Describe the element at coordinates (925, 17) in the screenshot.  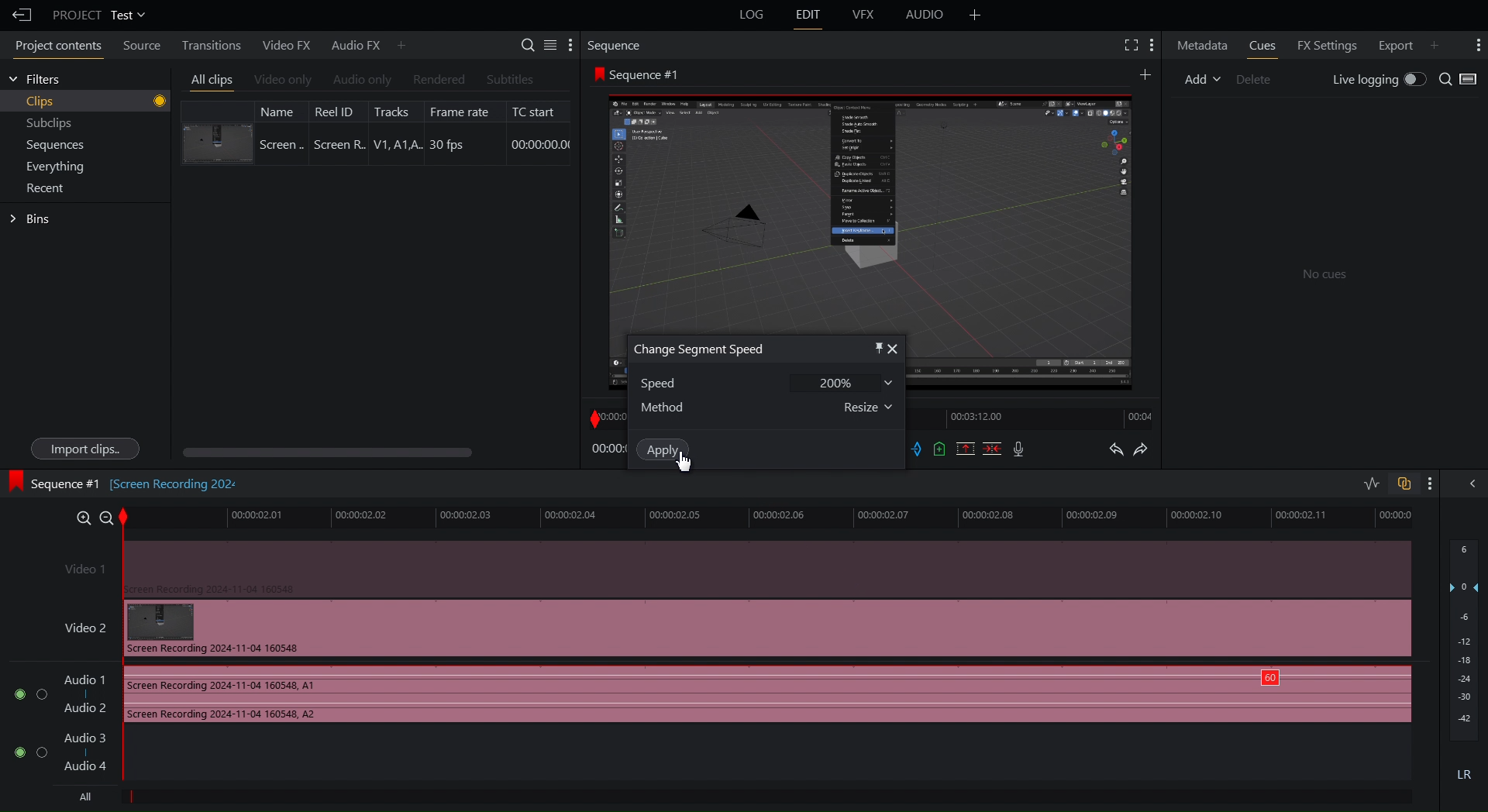
I see `Audio` at that location.